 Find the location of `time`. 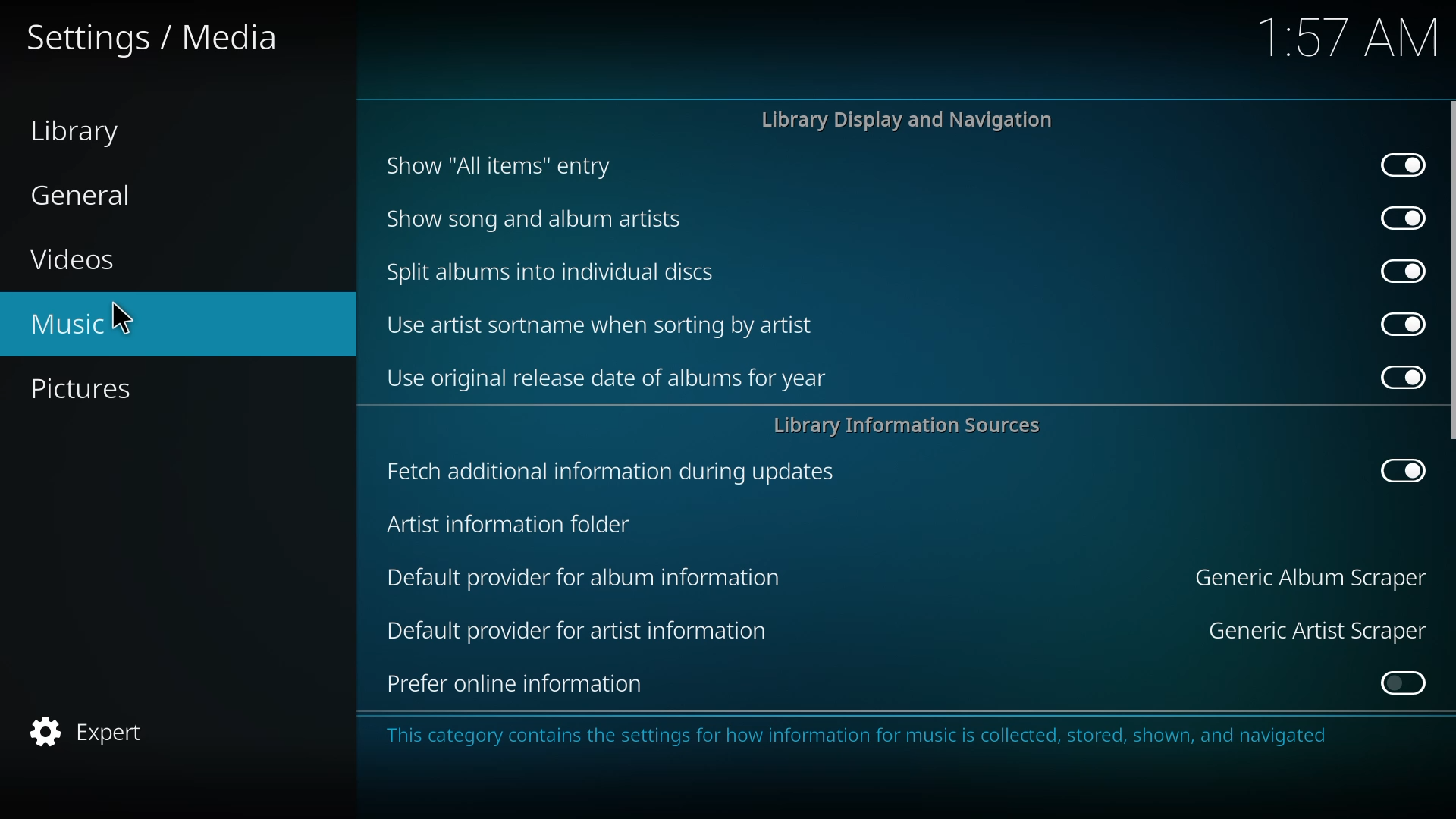

time is located at coordinates (1350, 39).